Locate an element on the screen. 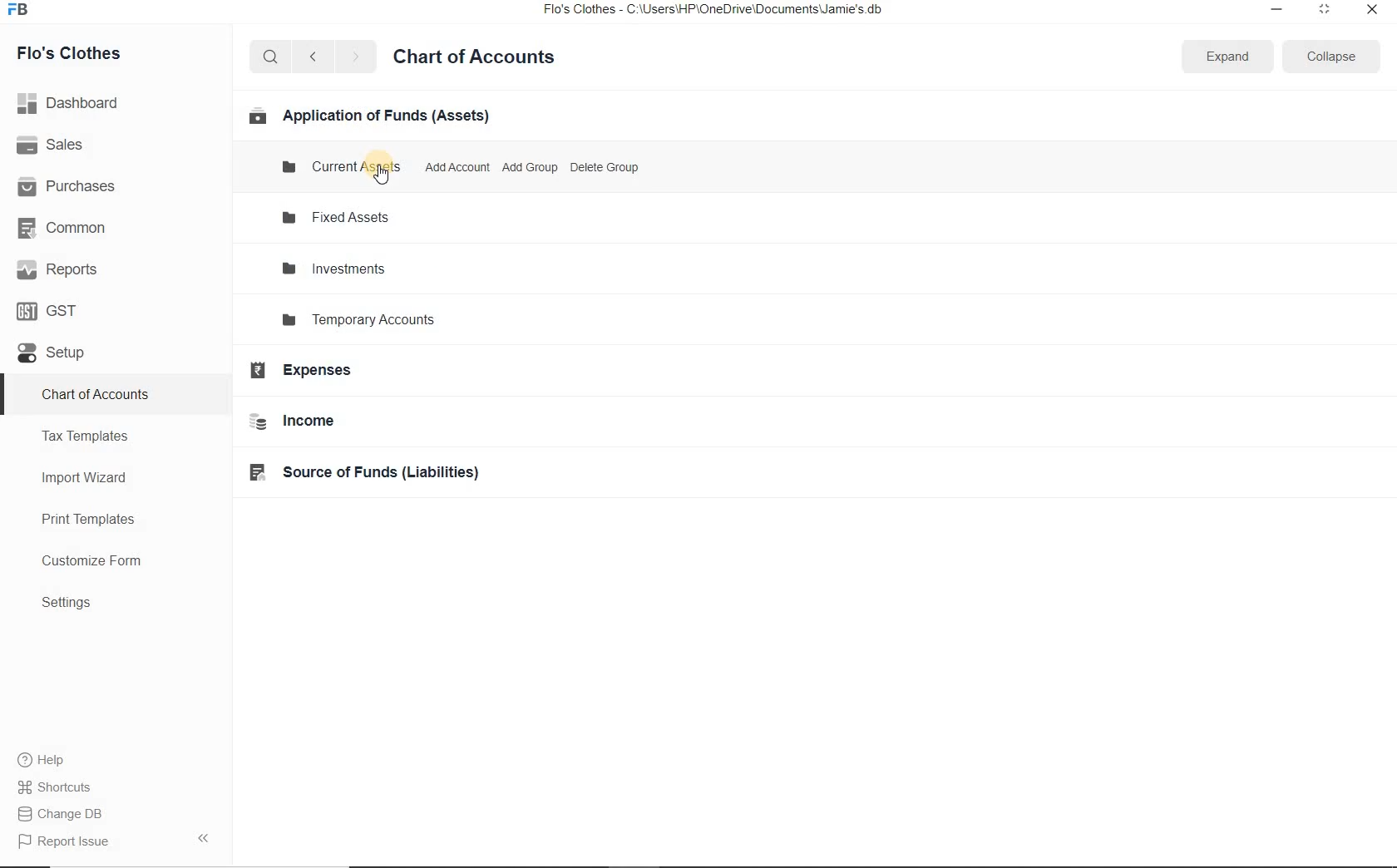 The image size is (1397, 868). forward is located at coordinates (357, 57).